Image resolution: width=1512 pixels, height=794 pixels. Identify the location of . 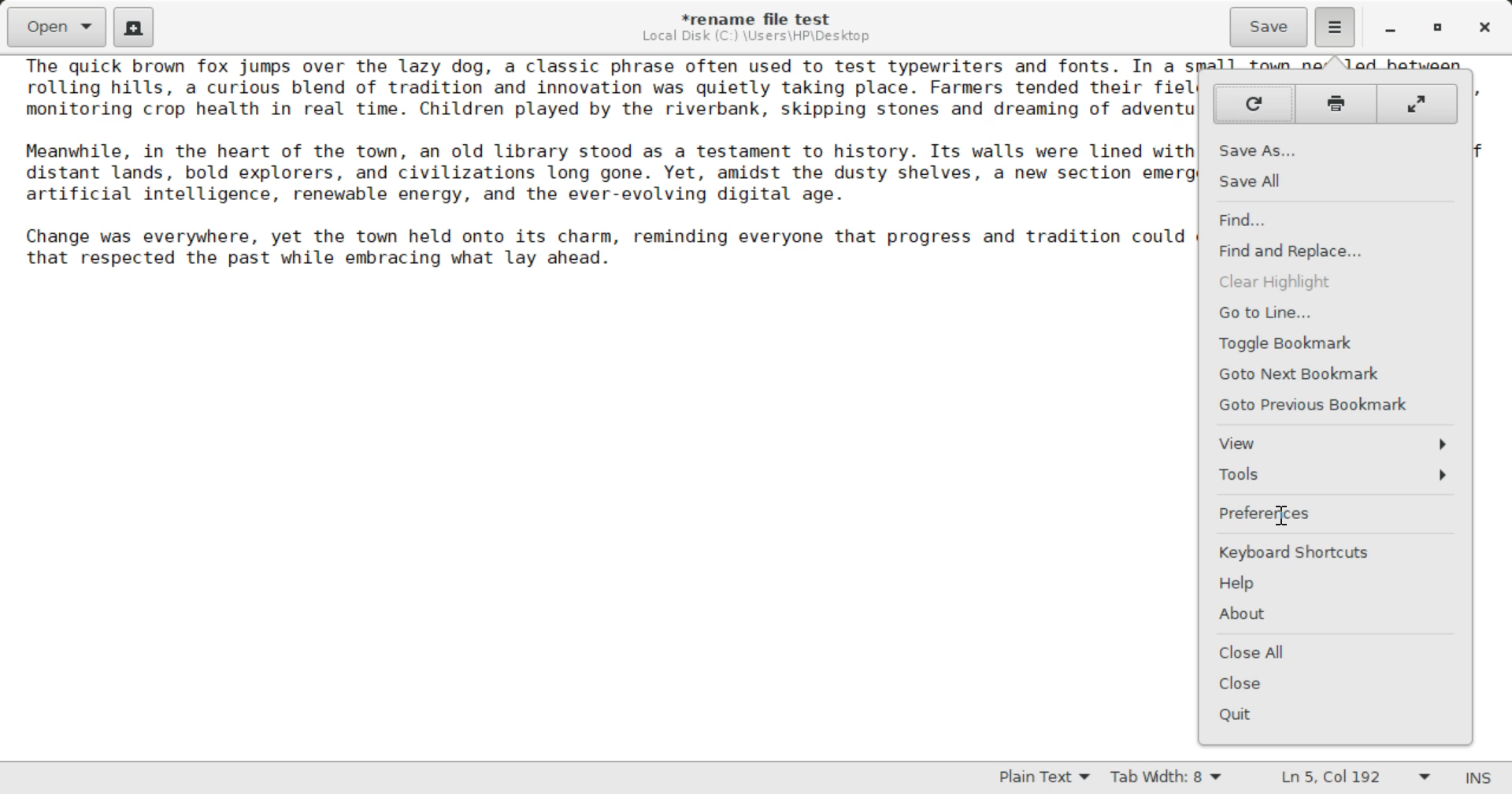
(1336, 474).